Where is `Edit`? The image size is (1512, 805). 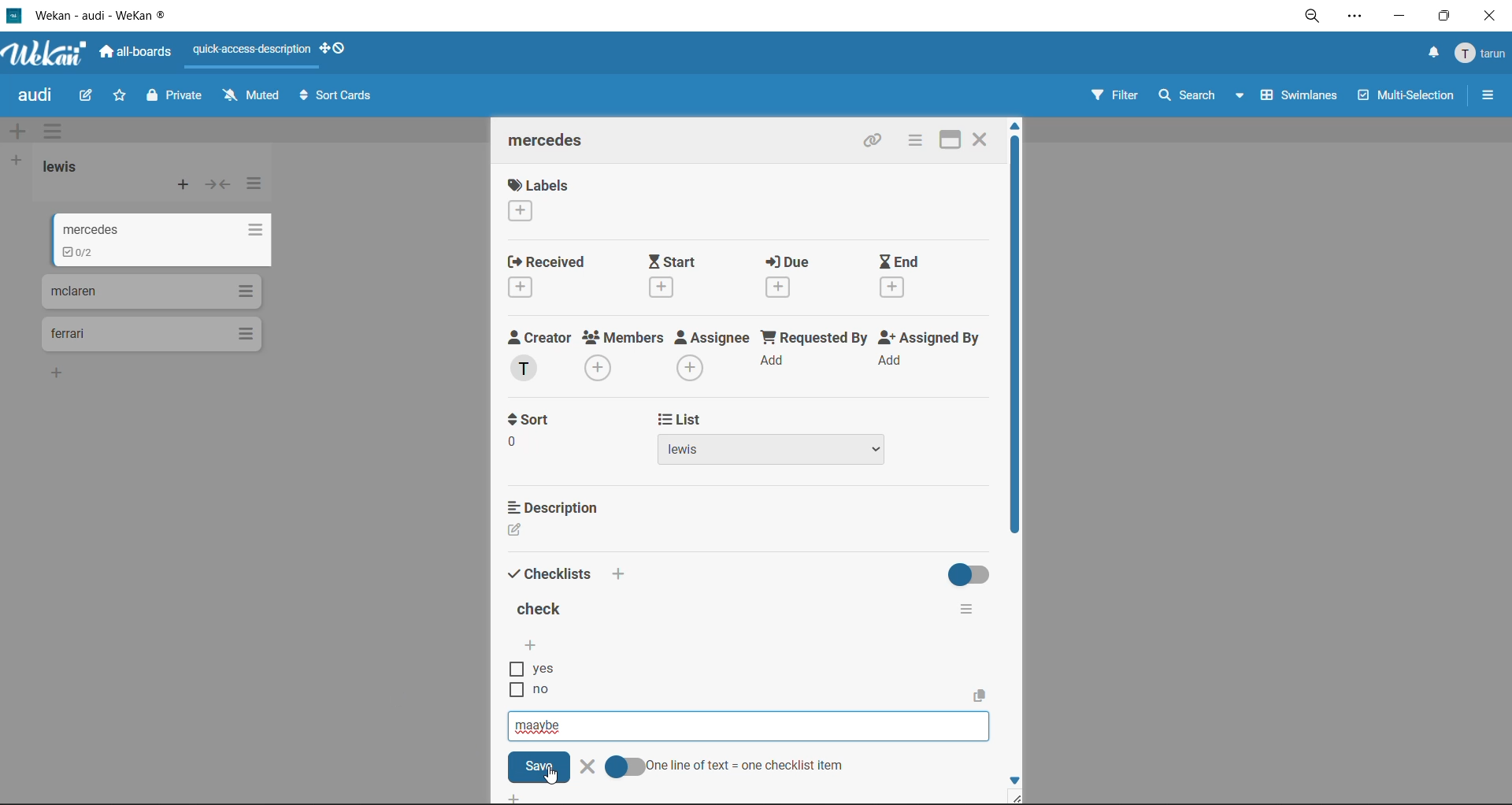 Edit is located at coordinates (514, 530).